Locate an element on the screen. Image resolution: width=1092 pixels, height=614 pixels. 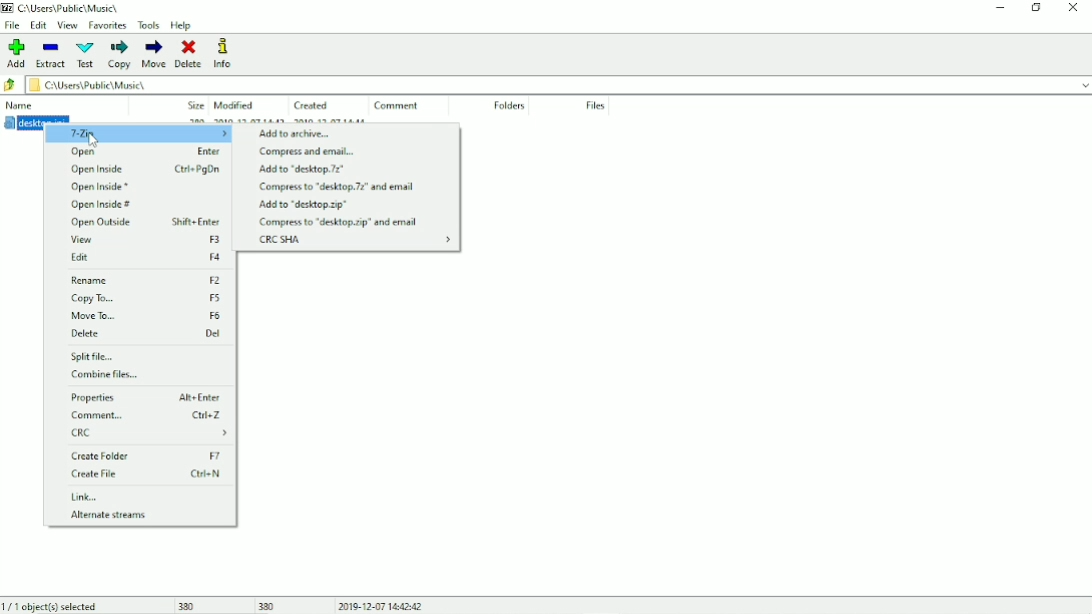
Comment is located at coordinates (145, 416).